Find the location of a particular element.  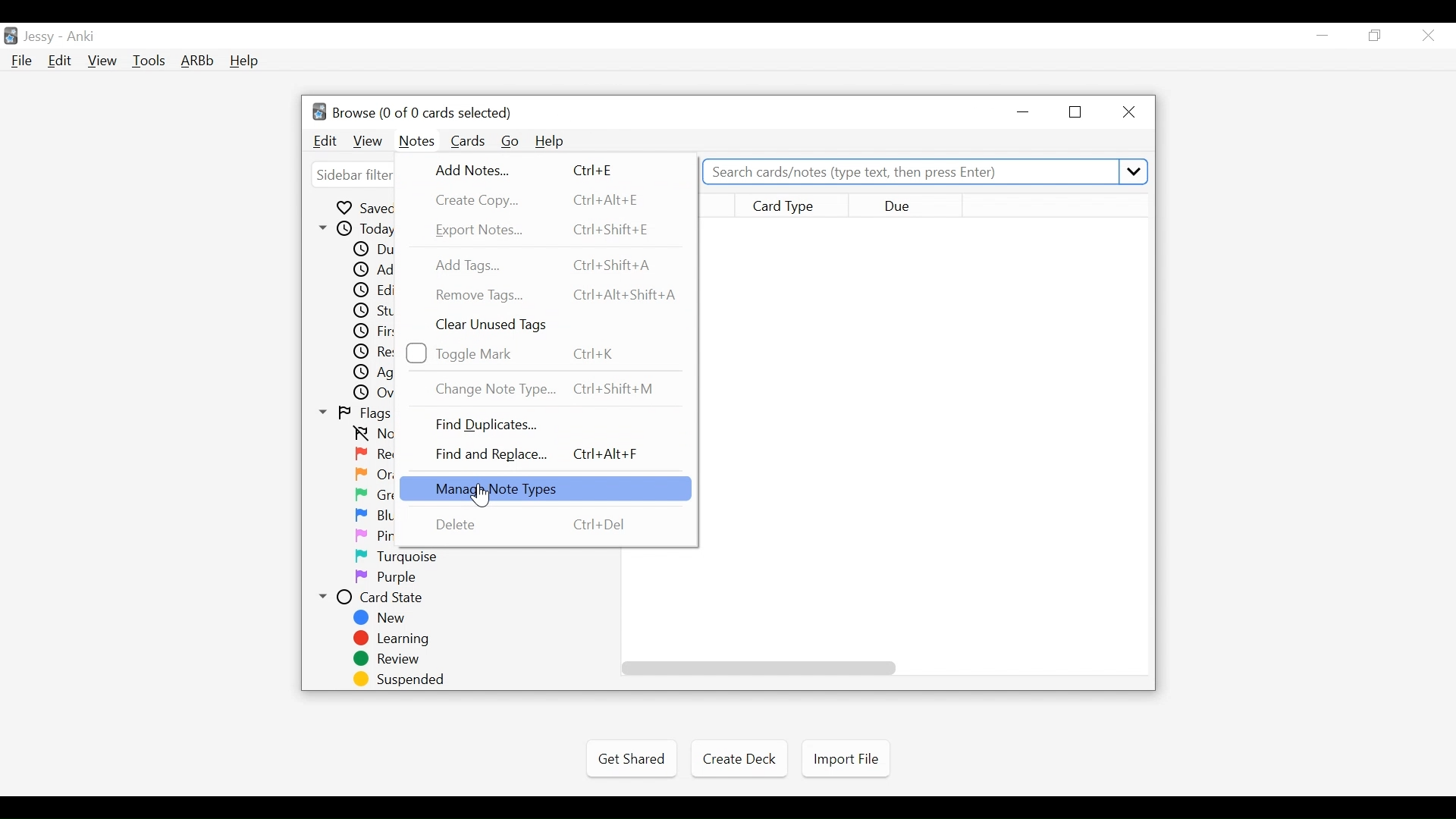

Red is located at coordinates (372, 453).